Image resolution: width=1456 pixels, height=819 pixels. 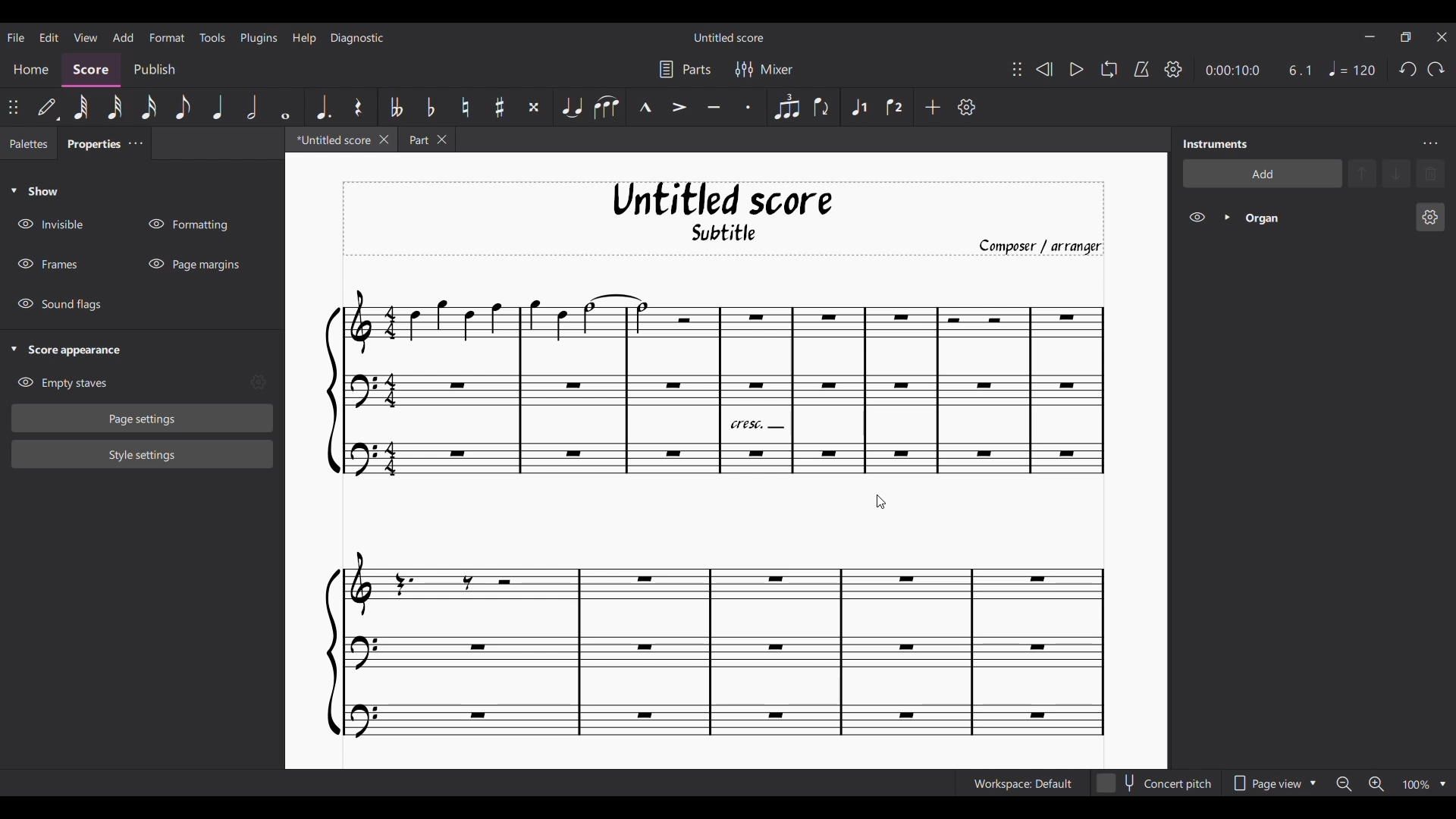 What do you see at coordinates (29, 143) in the screenshot?
I see `Palettes tab` at bounding box center [29, 143].